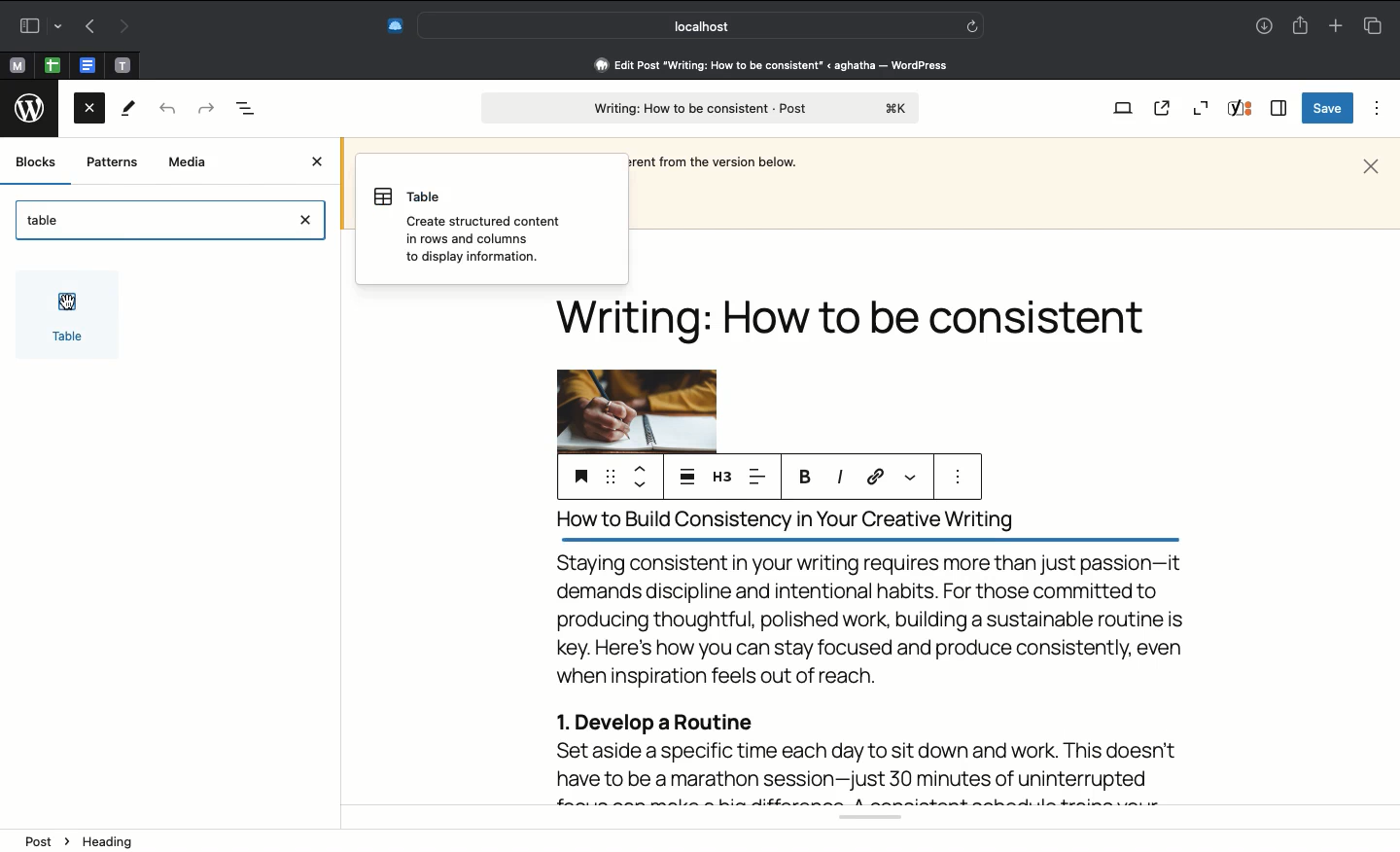  Describe the element at coordinates (1162, 108) in the screenshot. I see `View post` at that location.